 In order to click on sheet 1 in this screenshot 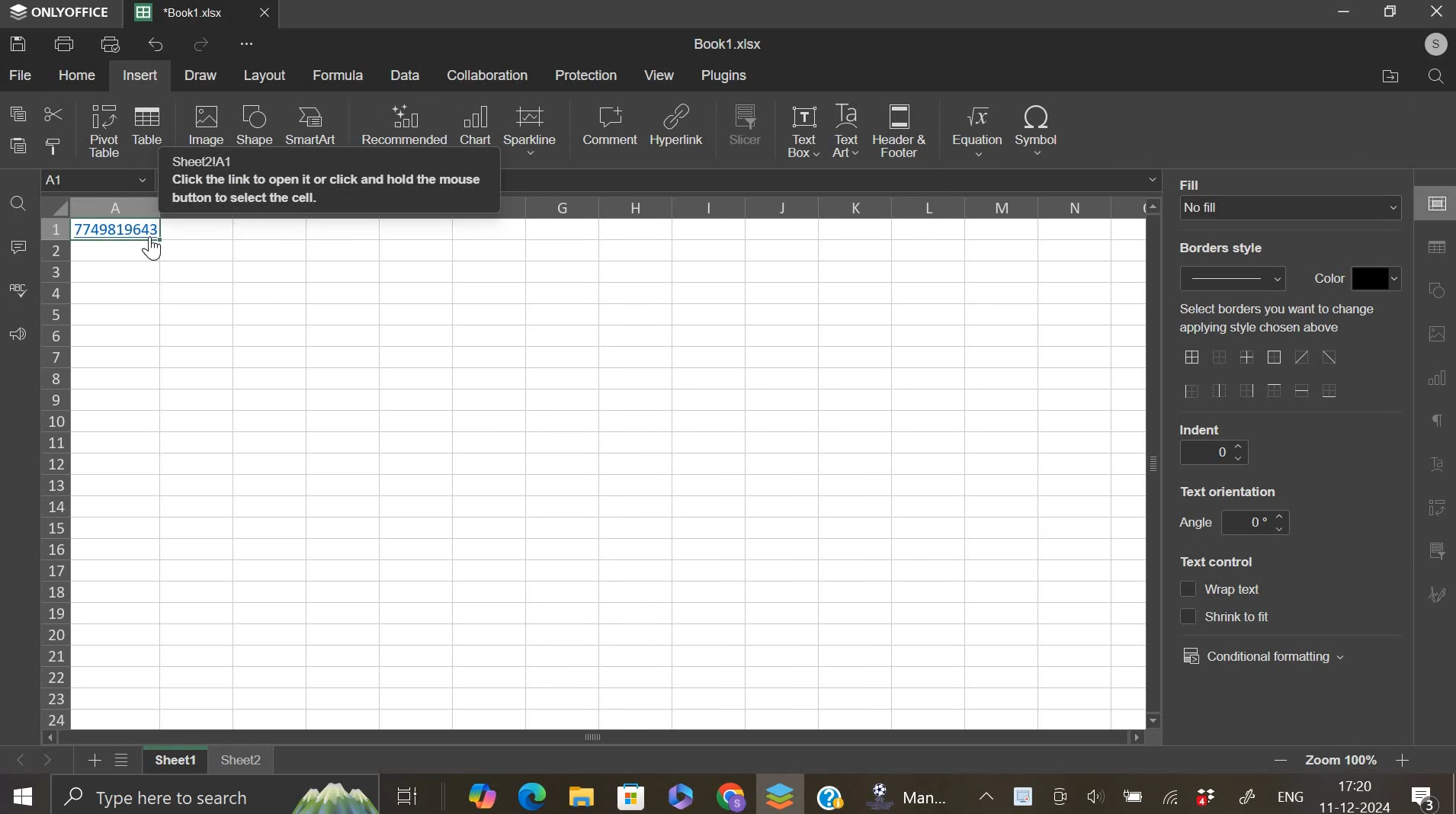, I will do `click(172, 761)`.